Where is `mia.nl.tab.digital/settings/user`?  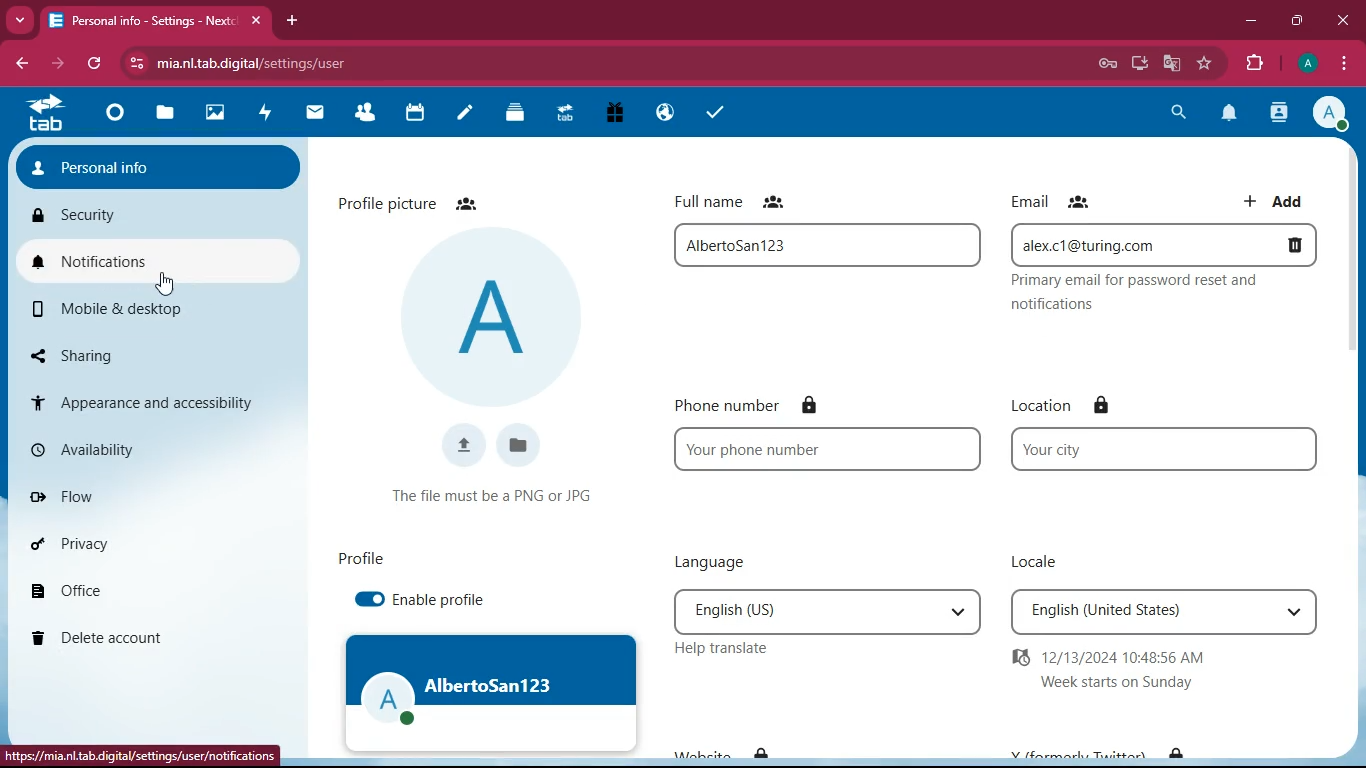
mia.nl.tab.digital/settings/user is located at coordinates (271, 65).